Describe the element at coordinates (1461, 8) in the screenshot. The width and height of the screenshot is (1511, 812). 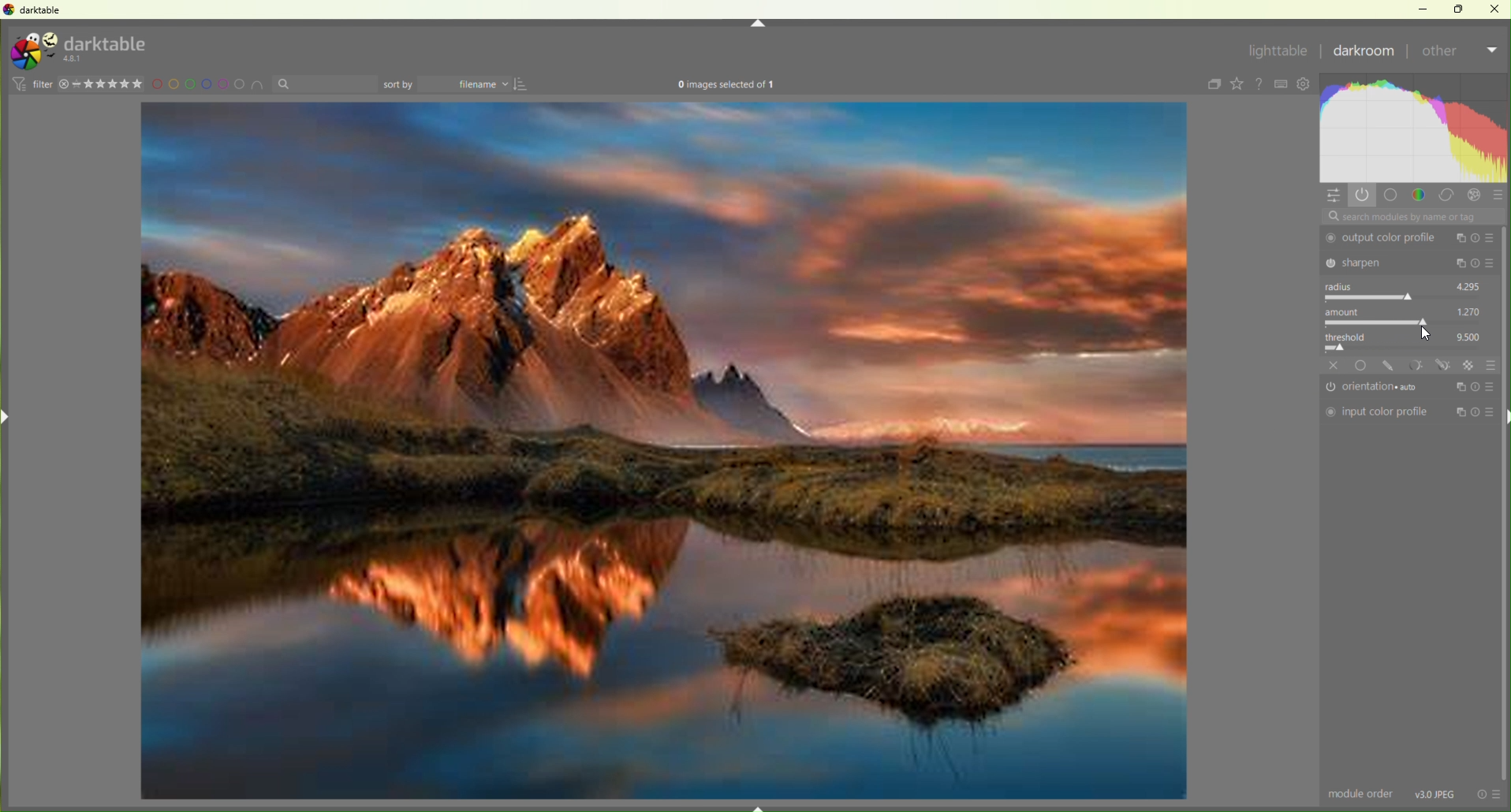
I see `restore` at that location.